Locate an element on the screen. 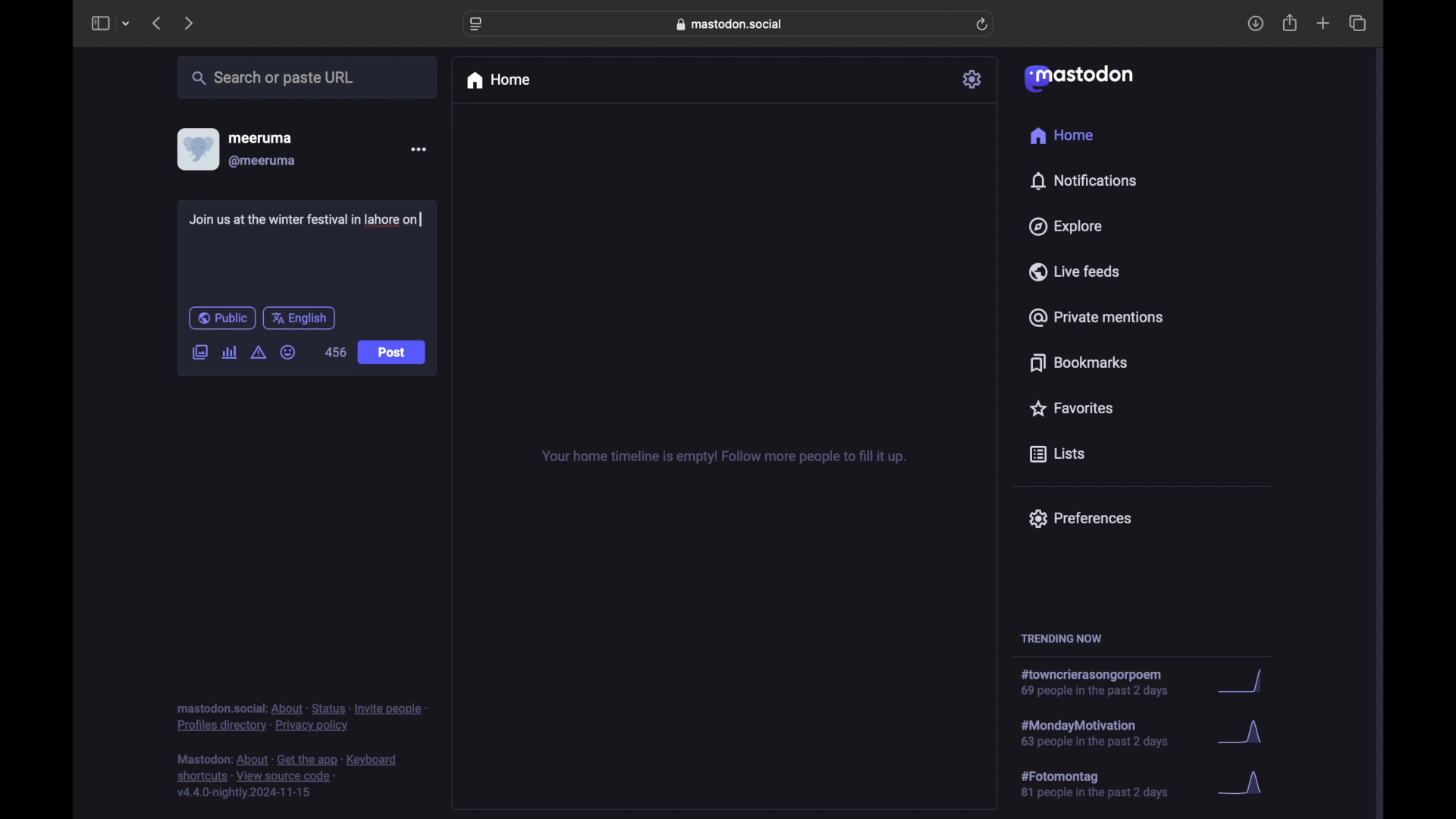 Image resolution: width=1456 pixels, height=819 pixels. preferences is located at coordinates (1079, 517).